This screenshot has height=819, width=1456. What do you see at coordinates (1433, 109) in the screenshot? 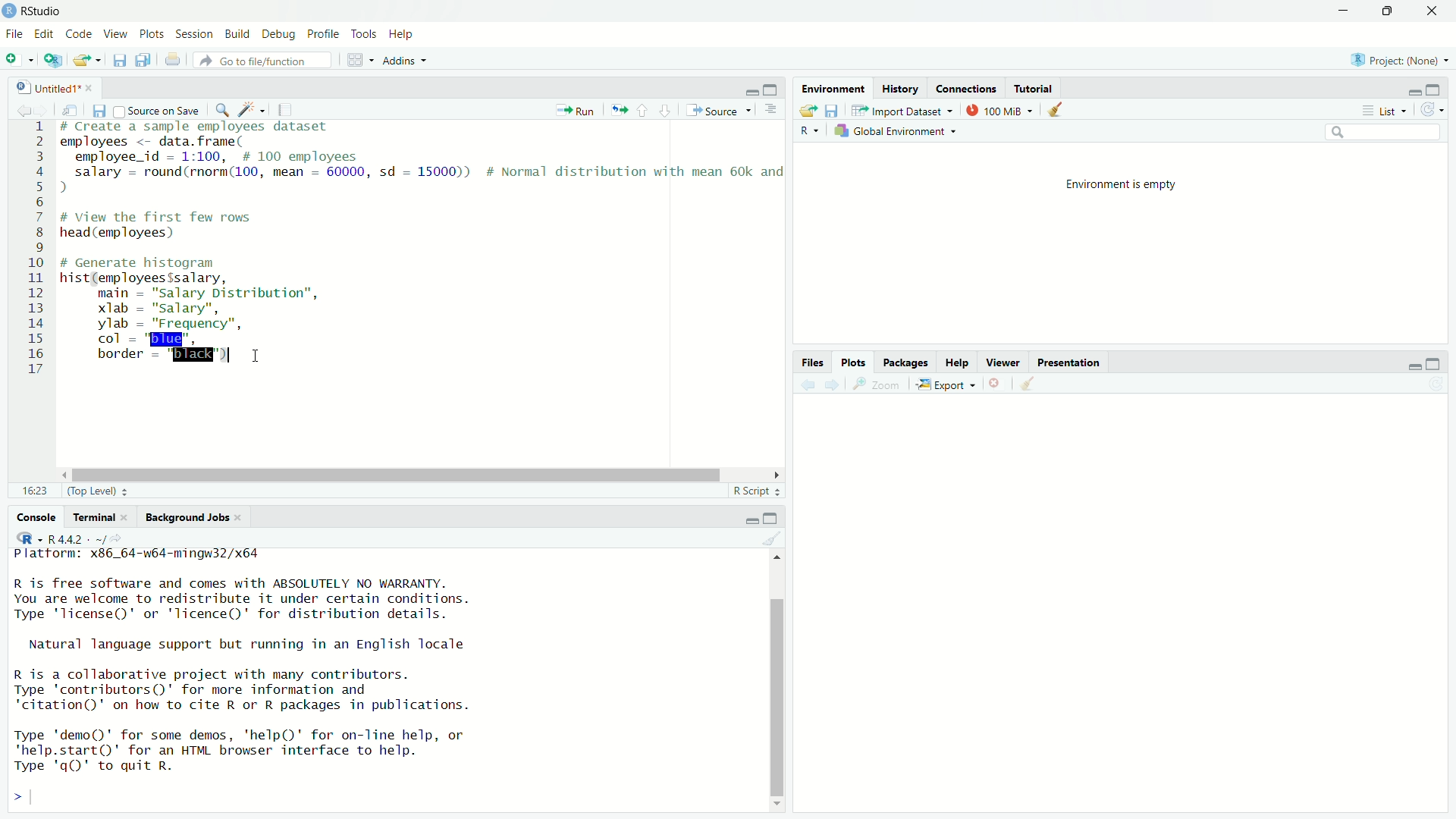
I see `reload` at bounding box center [1433, 109].